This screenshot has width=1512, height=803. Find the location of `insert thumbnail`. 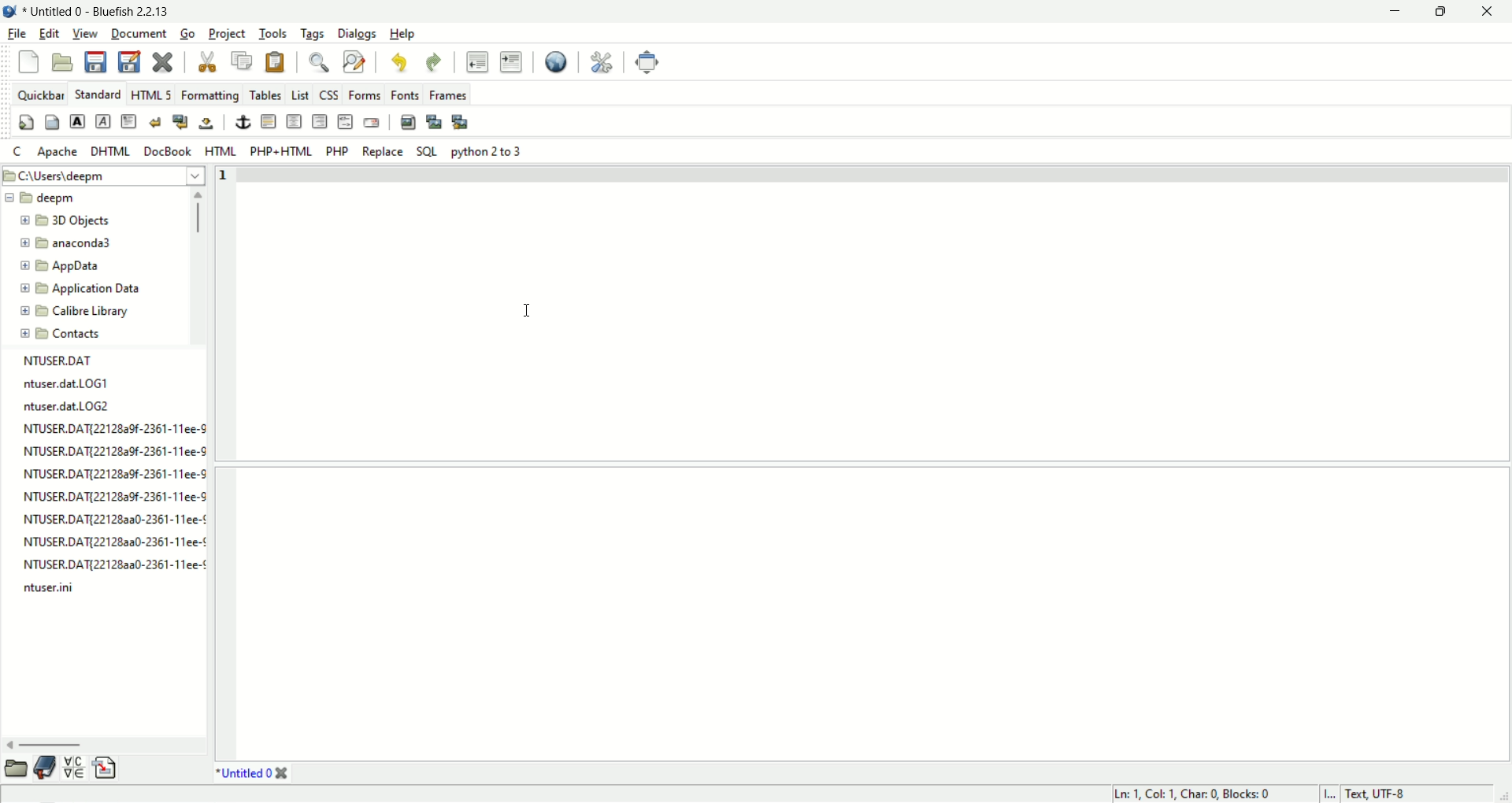

insert thumbnail is located at coordinates (432, 121).